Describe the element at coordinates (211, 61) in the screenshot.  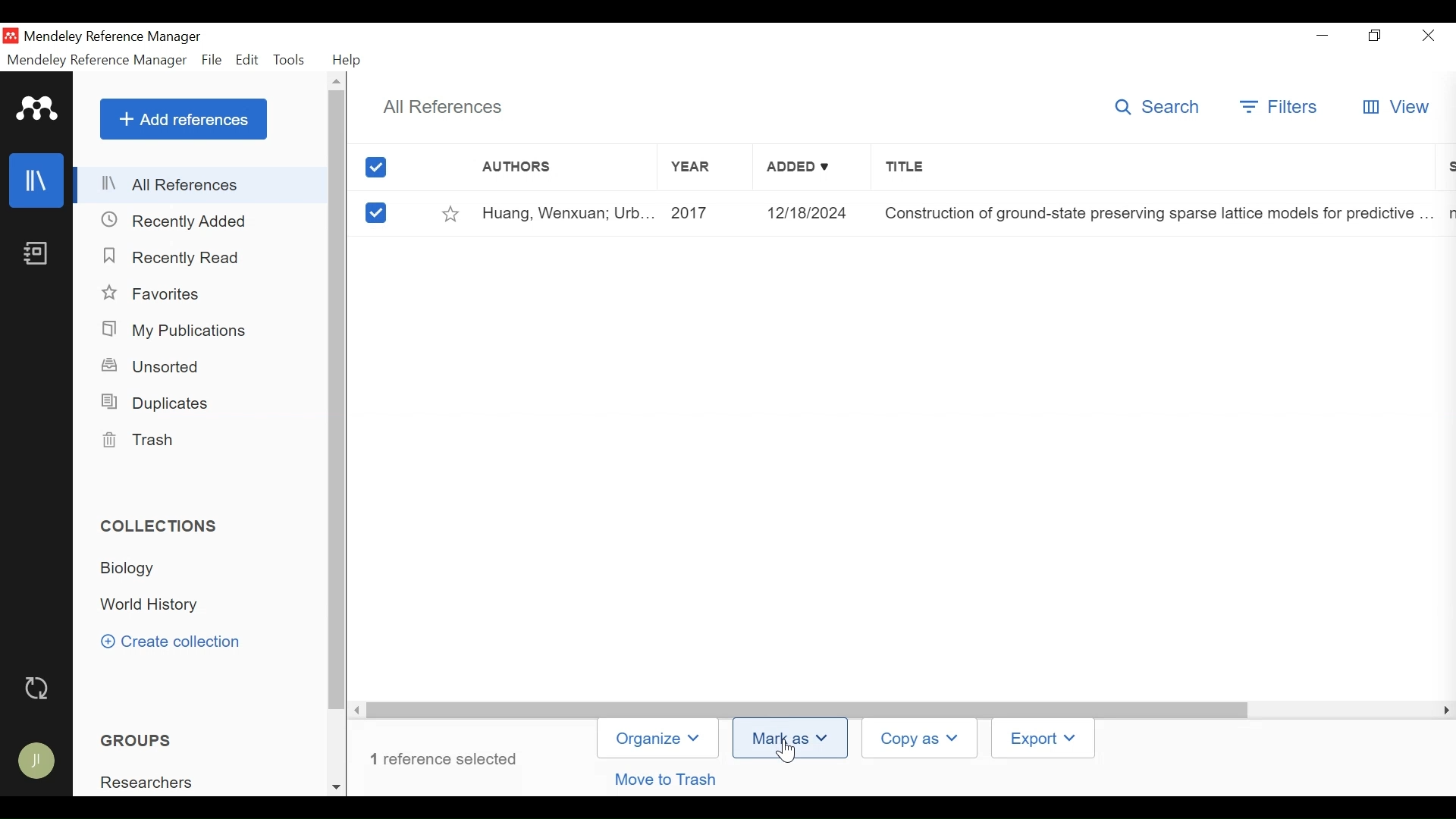
I see `File` at that location.